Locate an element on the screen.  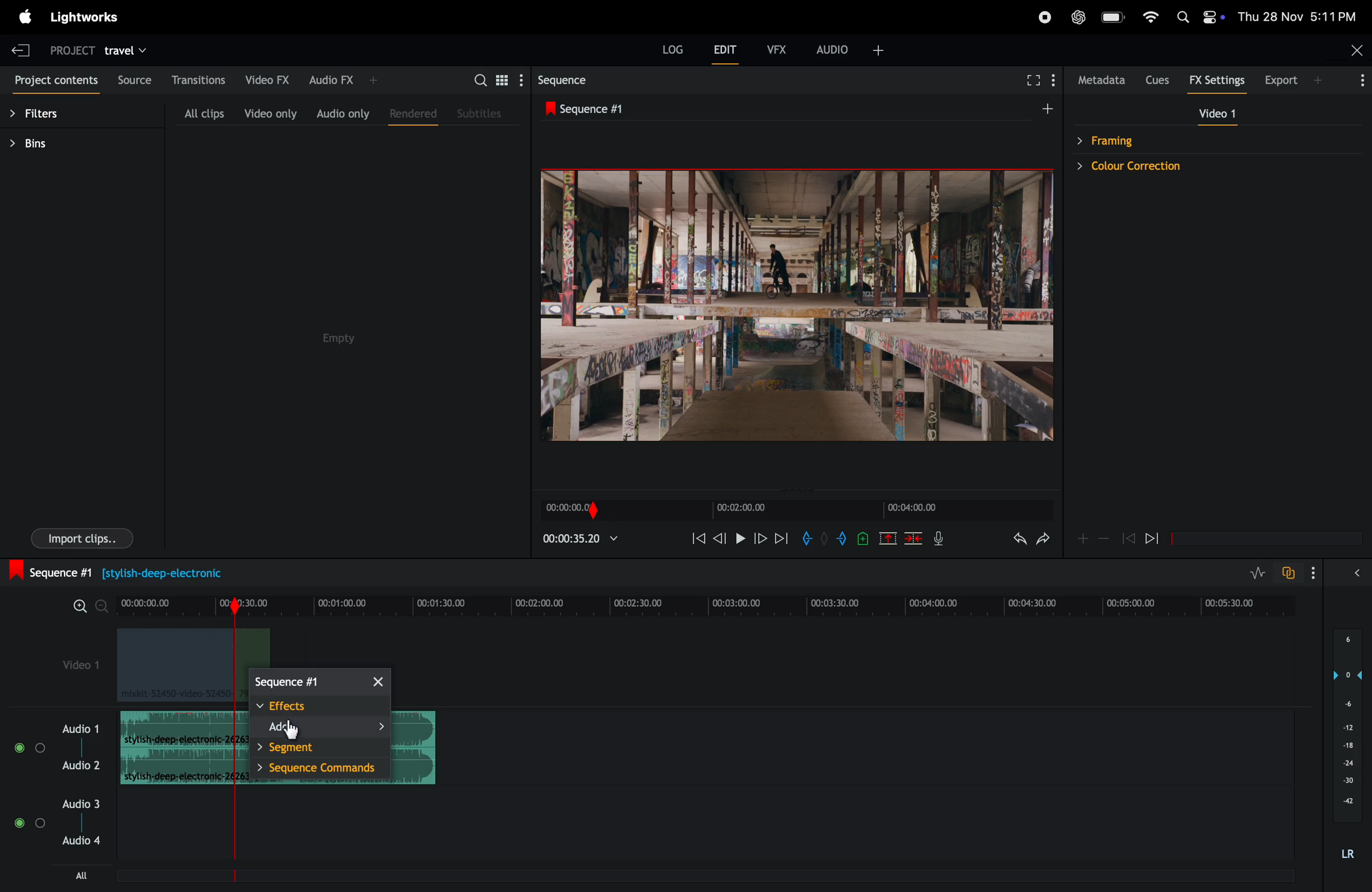
fx setting is located at coordinates (1215, 81).